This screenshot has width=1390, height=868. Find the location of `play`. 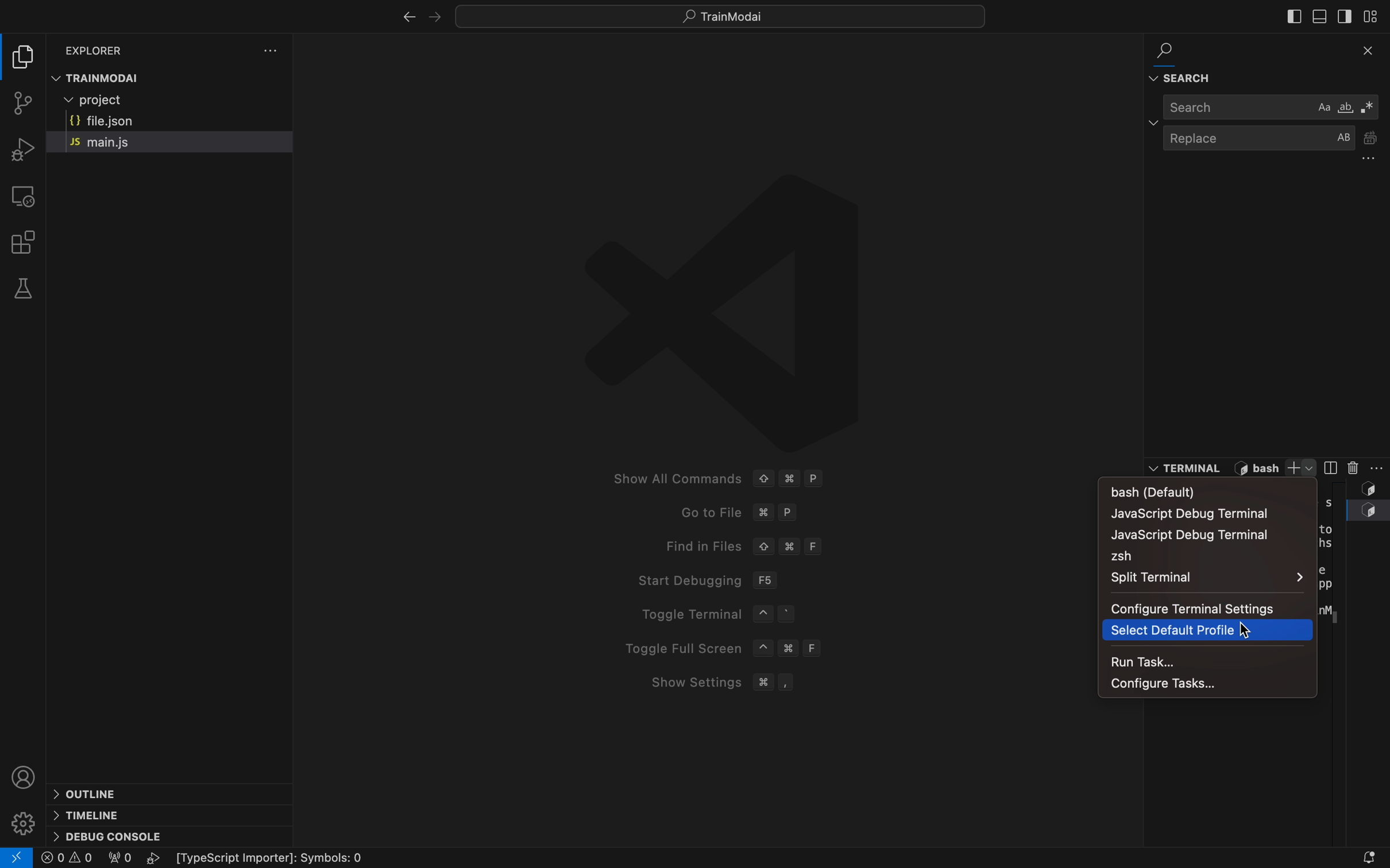

play is located at coordinates (156, 858).